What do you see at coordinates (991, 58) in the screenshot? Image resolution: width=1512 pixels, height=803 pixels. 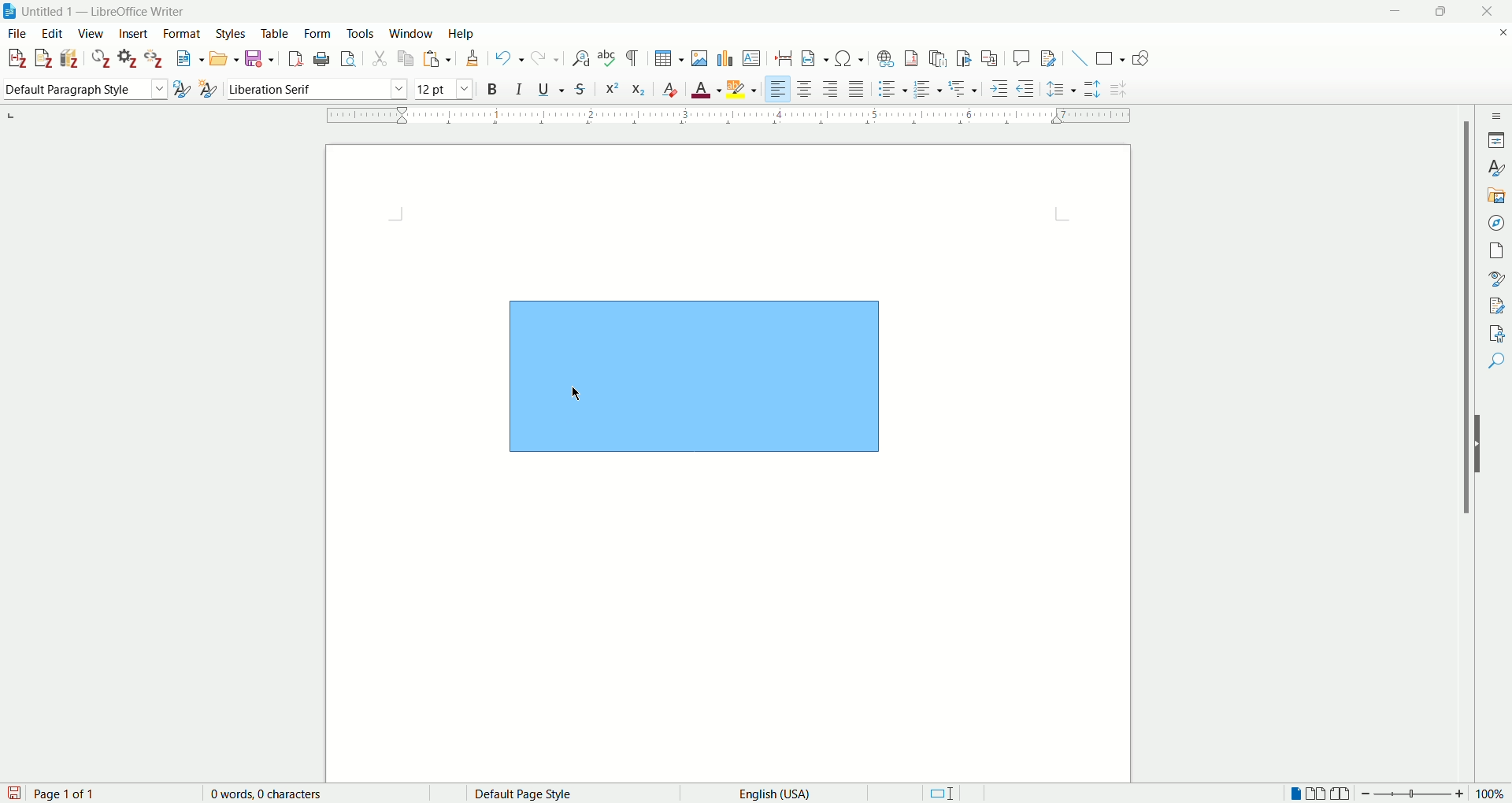 I see `insert cross-references` at bounding box center [991, 58].